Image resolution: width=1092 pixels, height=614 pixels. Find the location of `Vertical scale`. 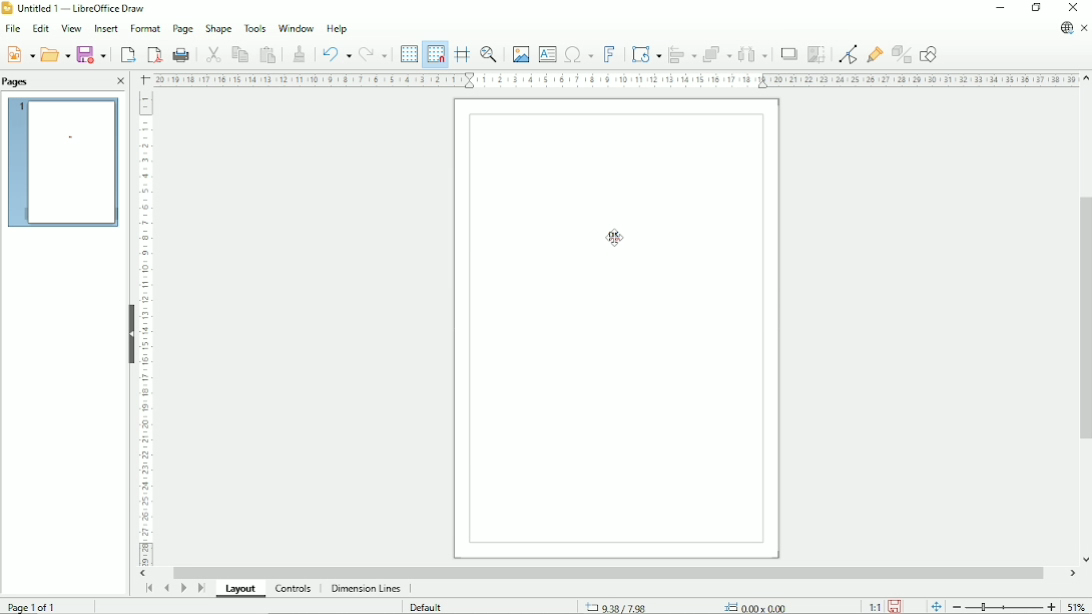

Vertical scale is located at coordinates (145, 328).